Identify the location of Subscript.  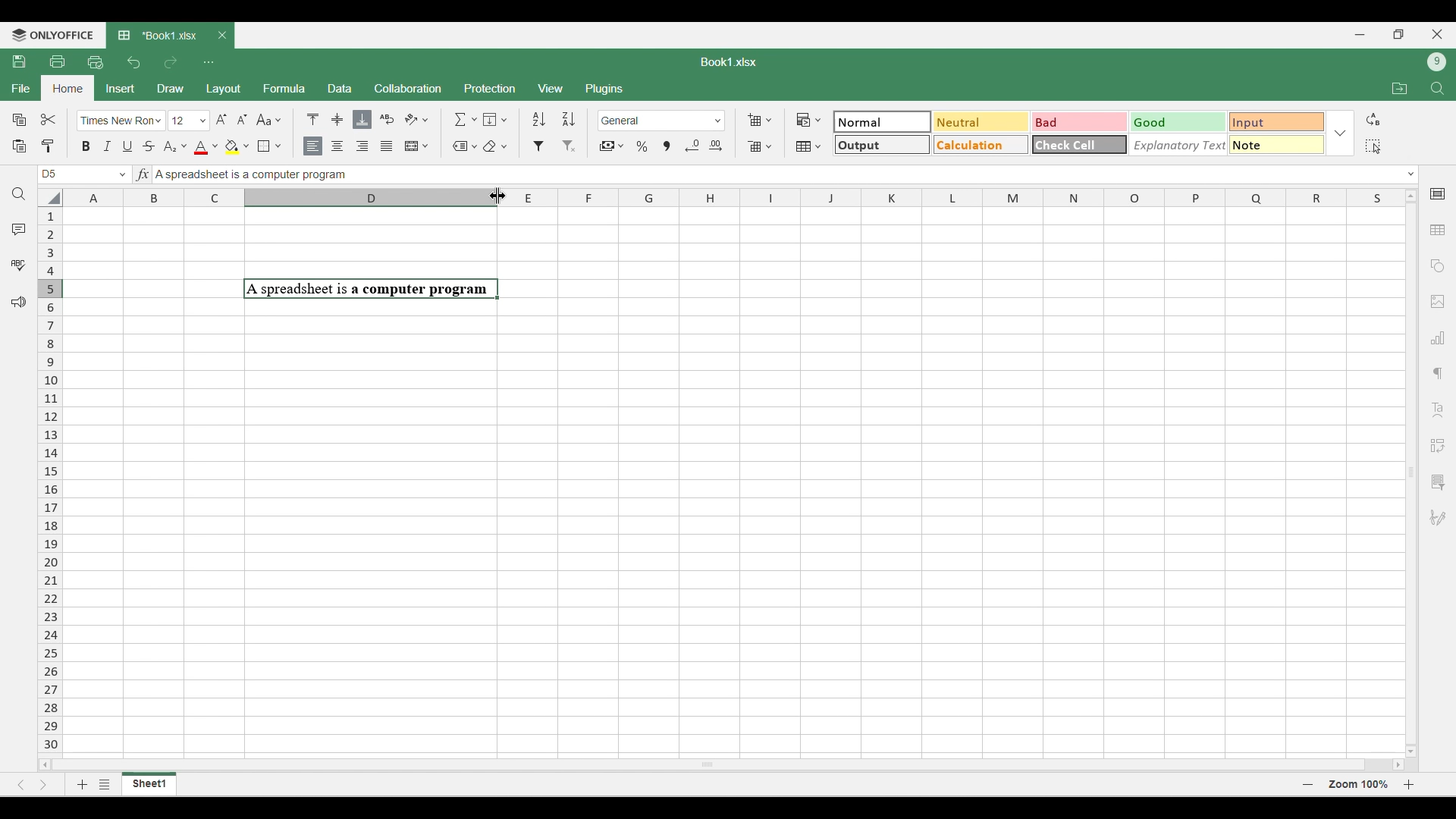
(174, 147).